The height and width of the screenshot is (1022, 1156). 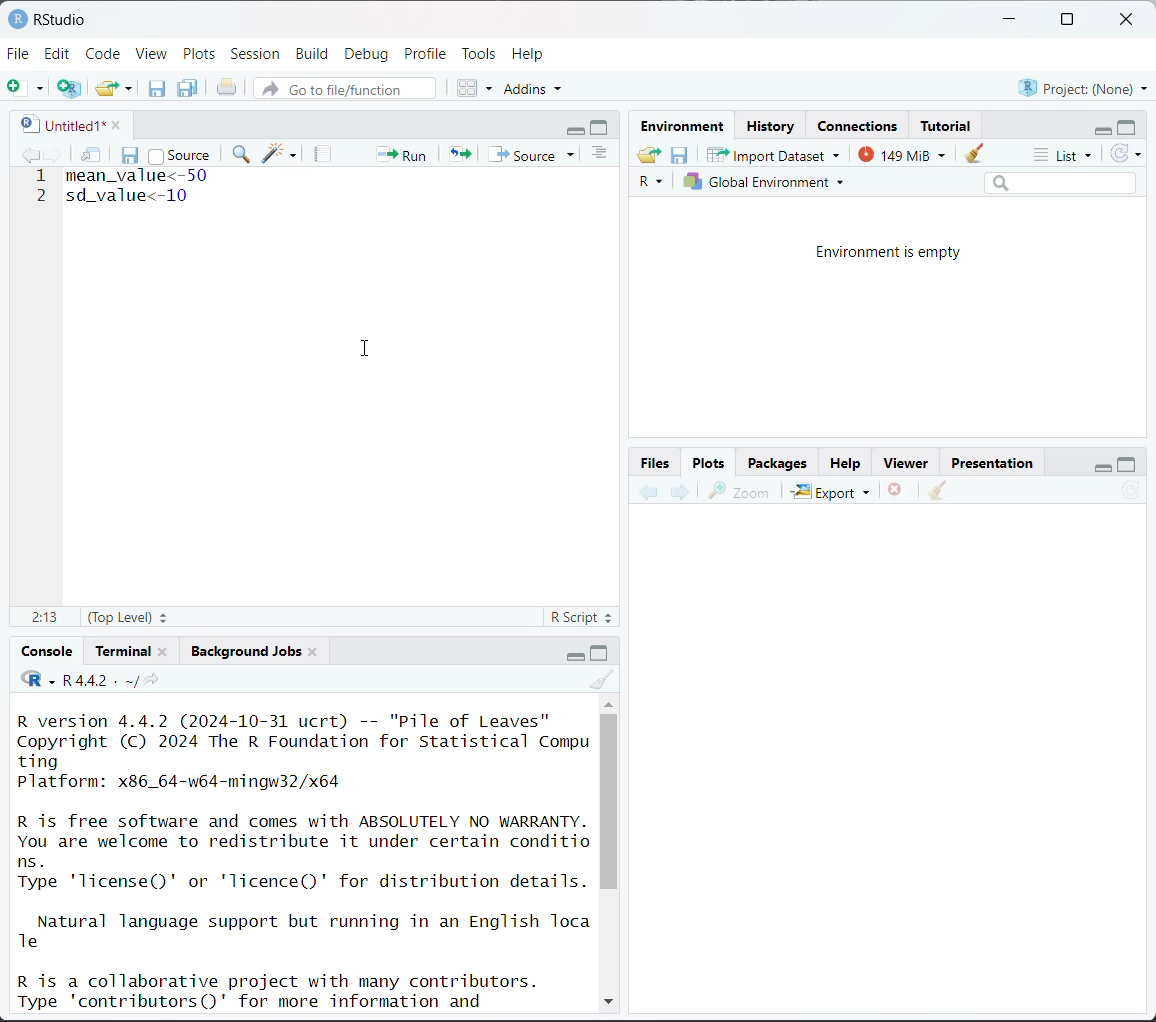 I want to click on clear list, so click(x=131, y=88).